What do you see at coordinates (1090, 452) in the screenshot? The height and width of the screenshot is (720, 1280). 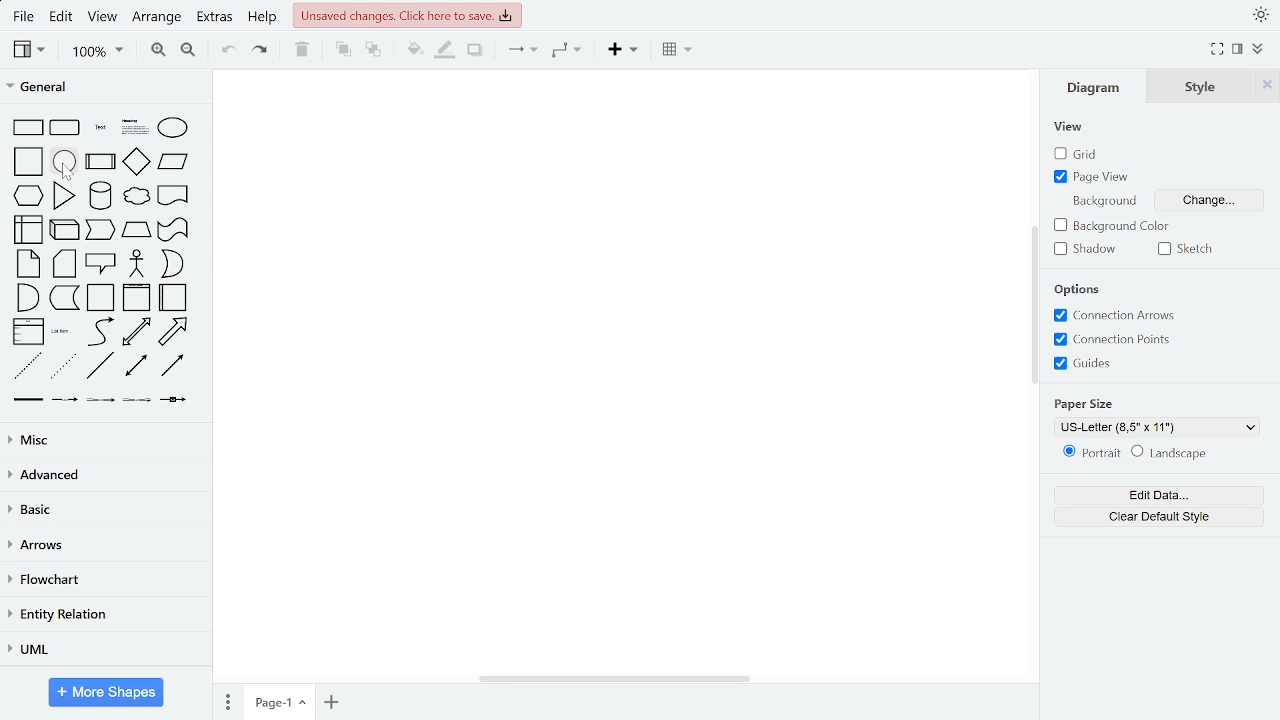 I see `potrait` at bounding box center [1090, 452].